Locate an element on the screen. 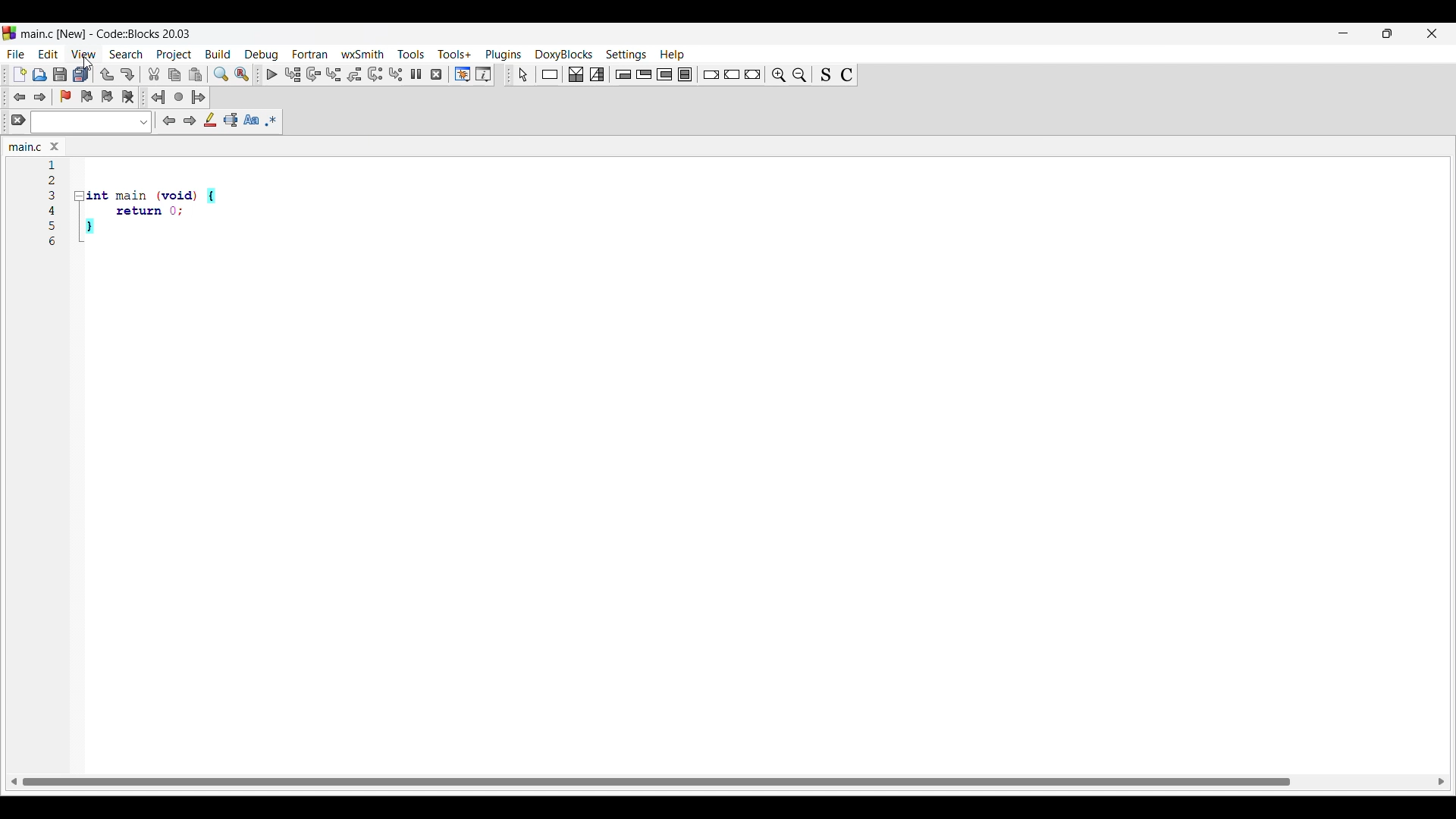 The image size is (1456, 819). Next instruction is located at coordinates (375, 74).